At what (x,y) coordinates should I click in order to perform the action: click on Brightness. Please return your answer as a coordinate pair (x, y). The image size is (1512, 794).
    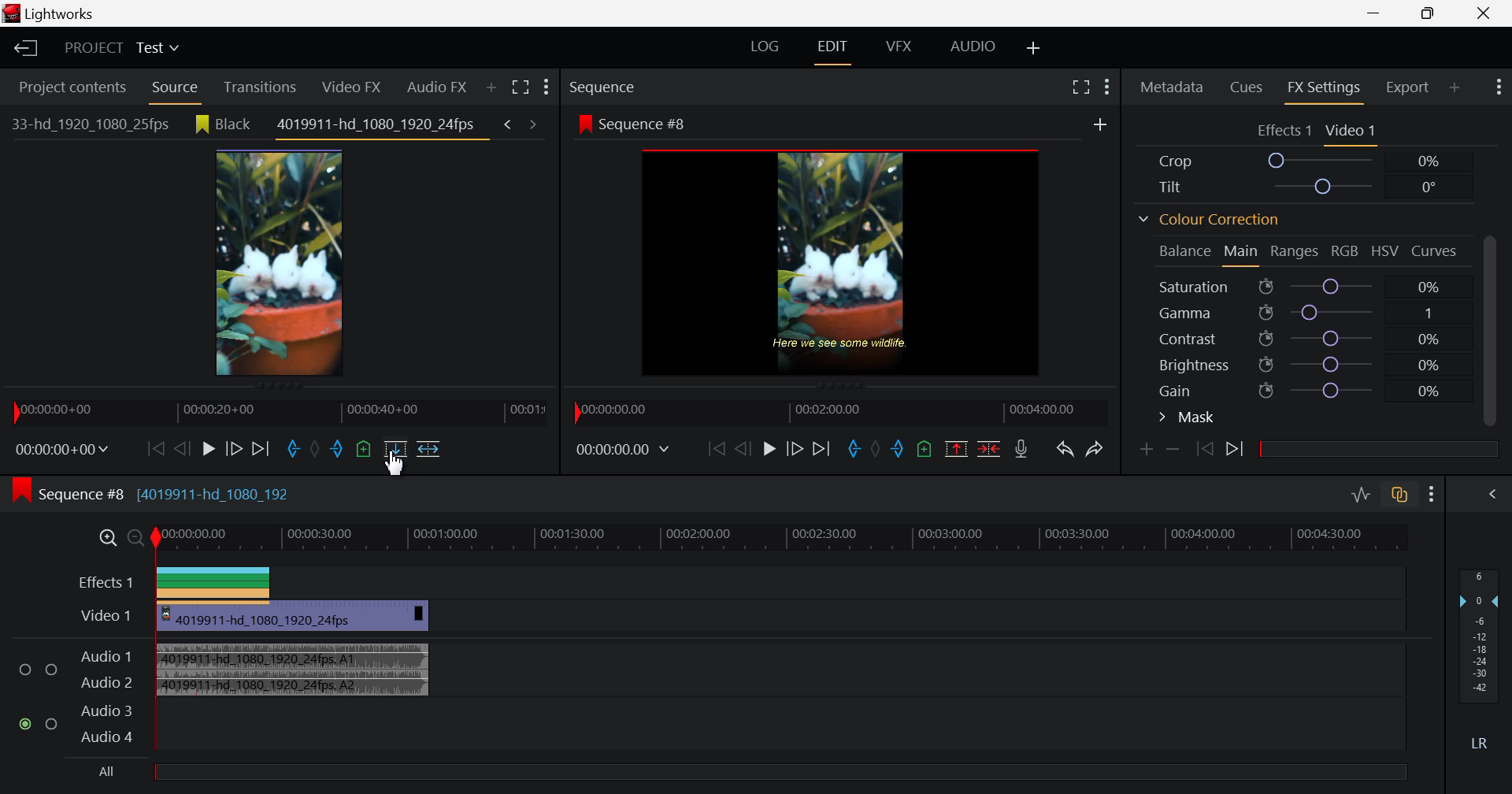
    Looking at the image, I should click on (1304, 363).